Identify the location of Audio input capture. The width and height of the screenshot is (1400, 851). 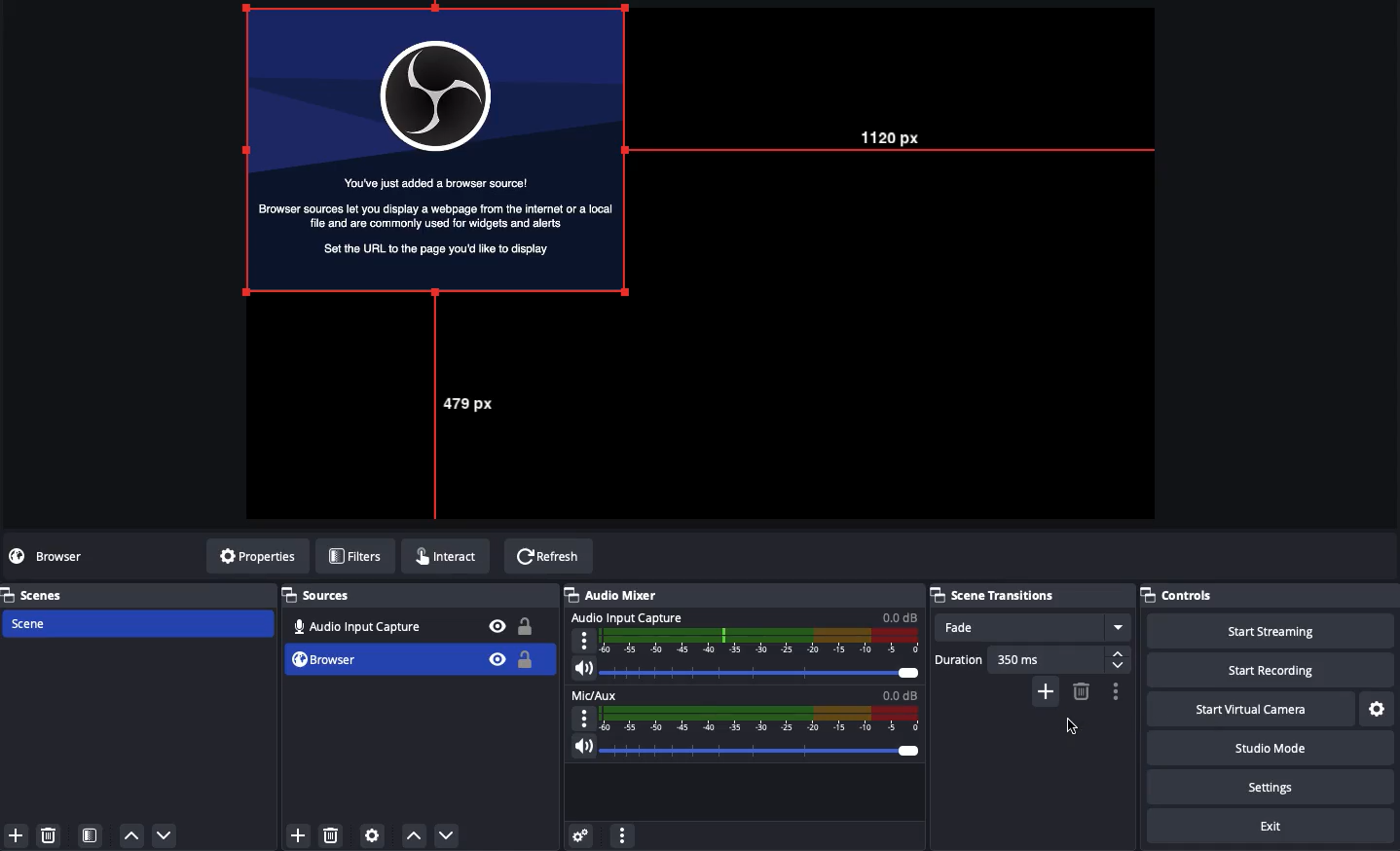
(353, 624).